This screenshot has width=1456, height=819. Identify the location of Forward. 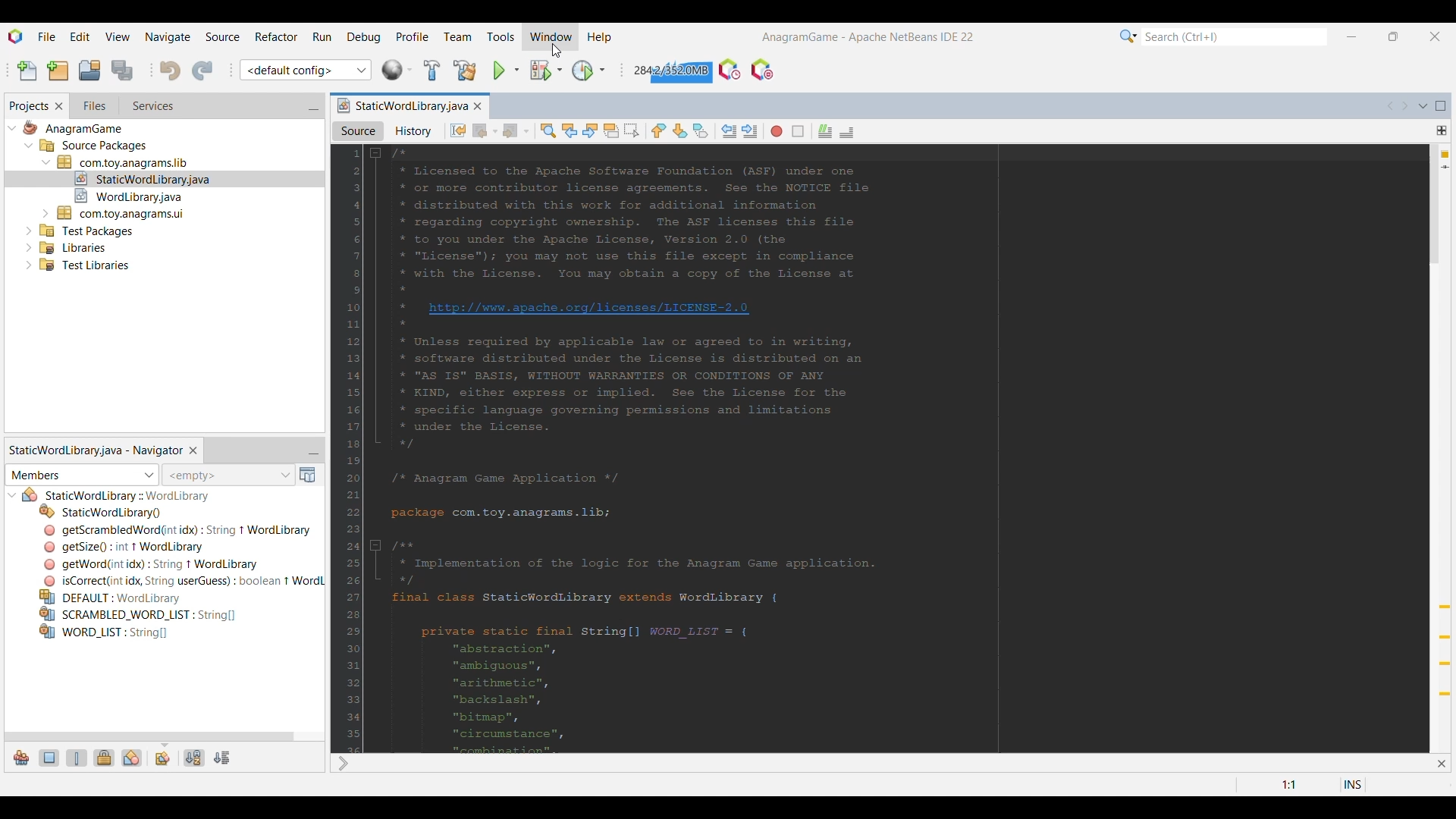
(511, 130).